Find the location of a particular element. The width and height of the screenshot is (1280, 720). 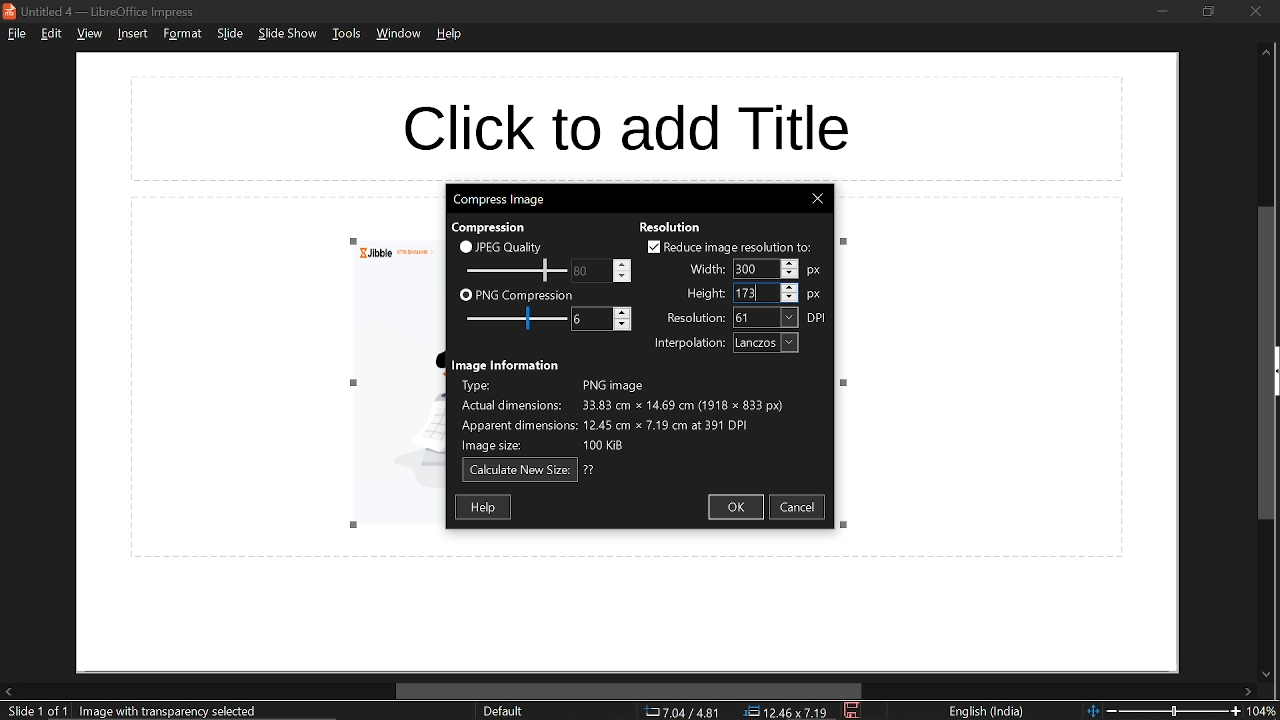

move left is located at coordinates (8, 692).